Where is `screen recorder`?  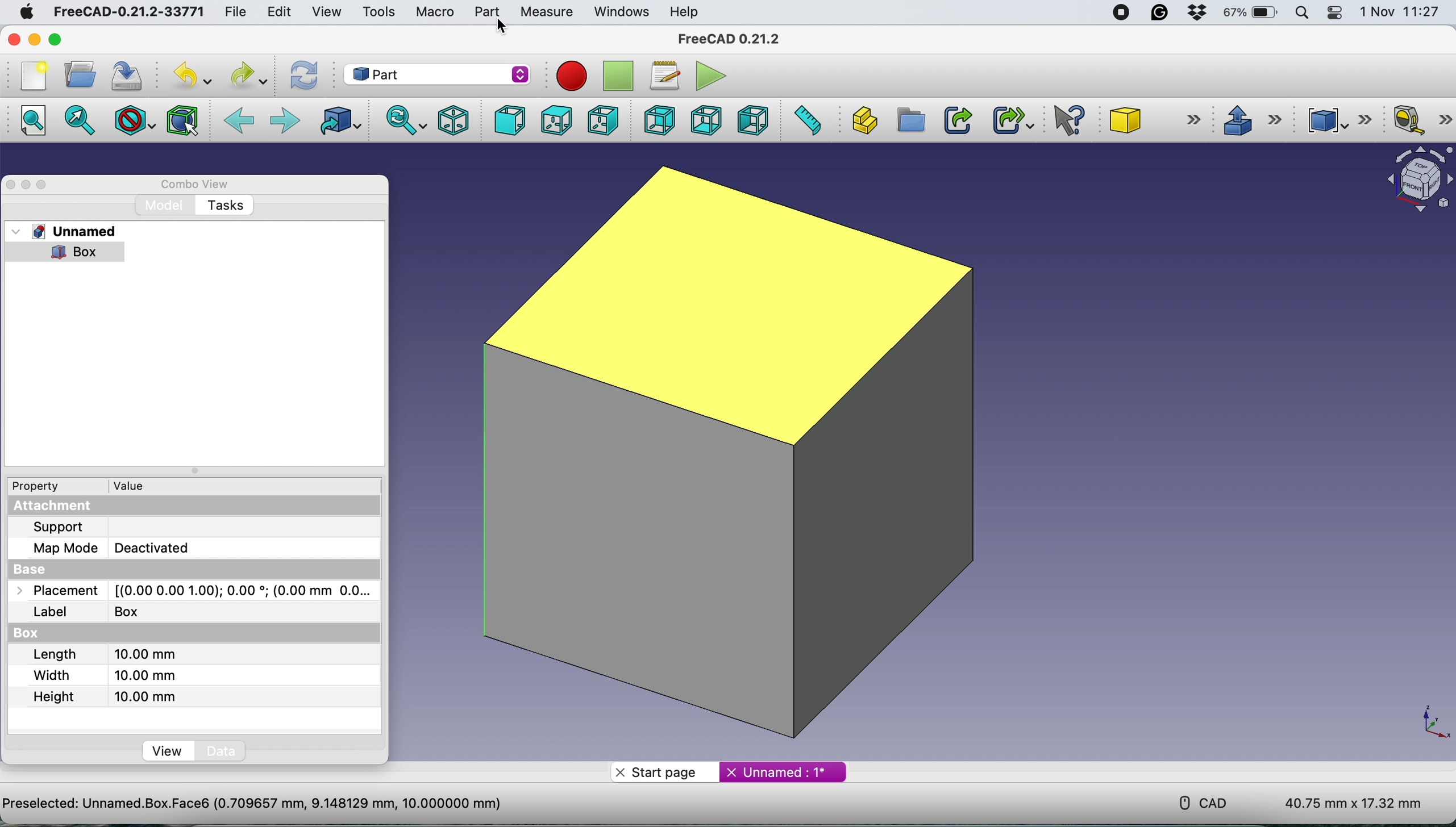
screen recorder is located at coordinates (1122, 12).